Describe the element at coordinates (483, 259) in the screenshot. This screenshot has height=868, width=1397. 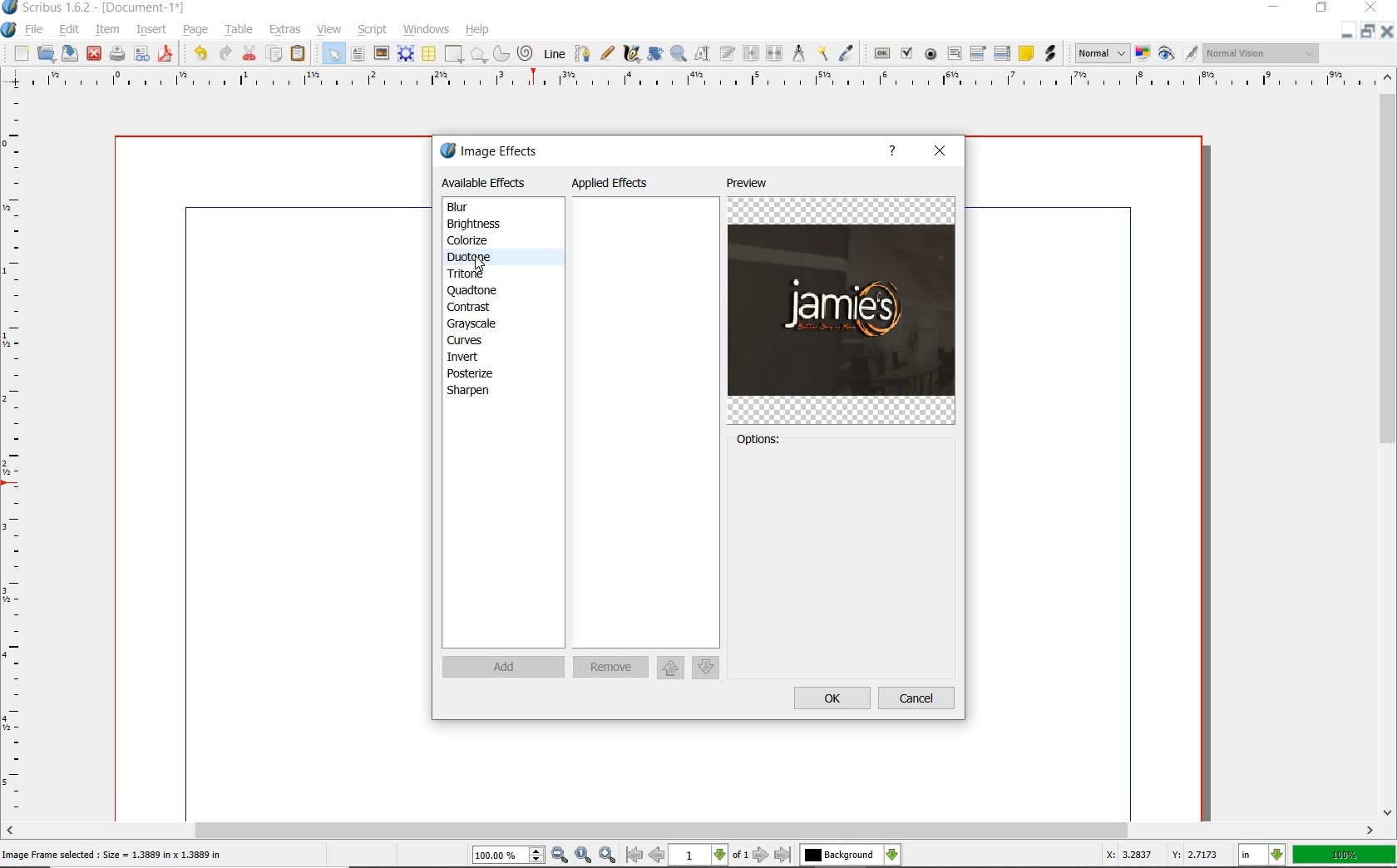
I see `duotone` at that location.